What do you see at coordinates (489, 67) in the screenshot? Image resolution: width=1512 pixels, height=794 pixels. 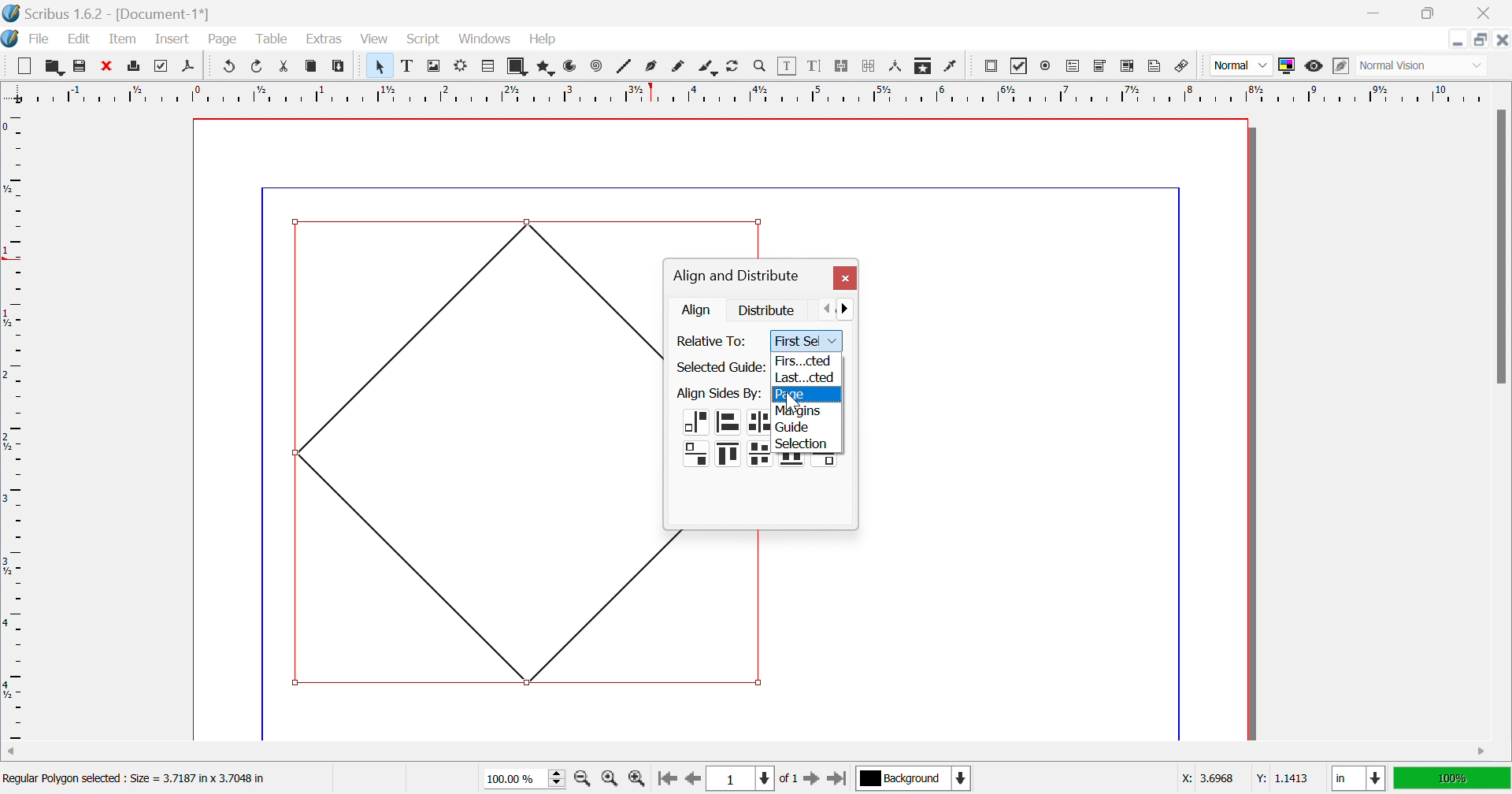 I see `Table` at bounding box center [489, 67].